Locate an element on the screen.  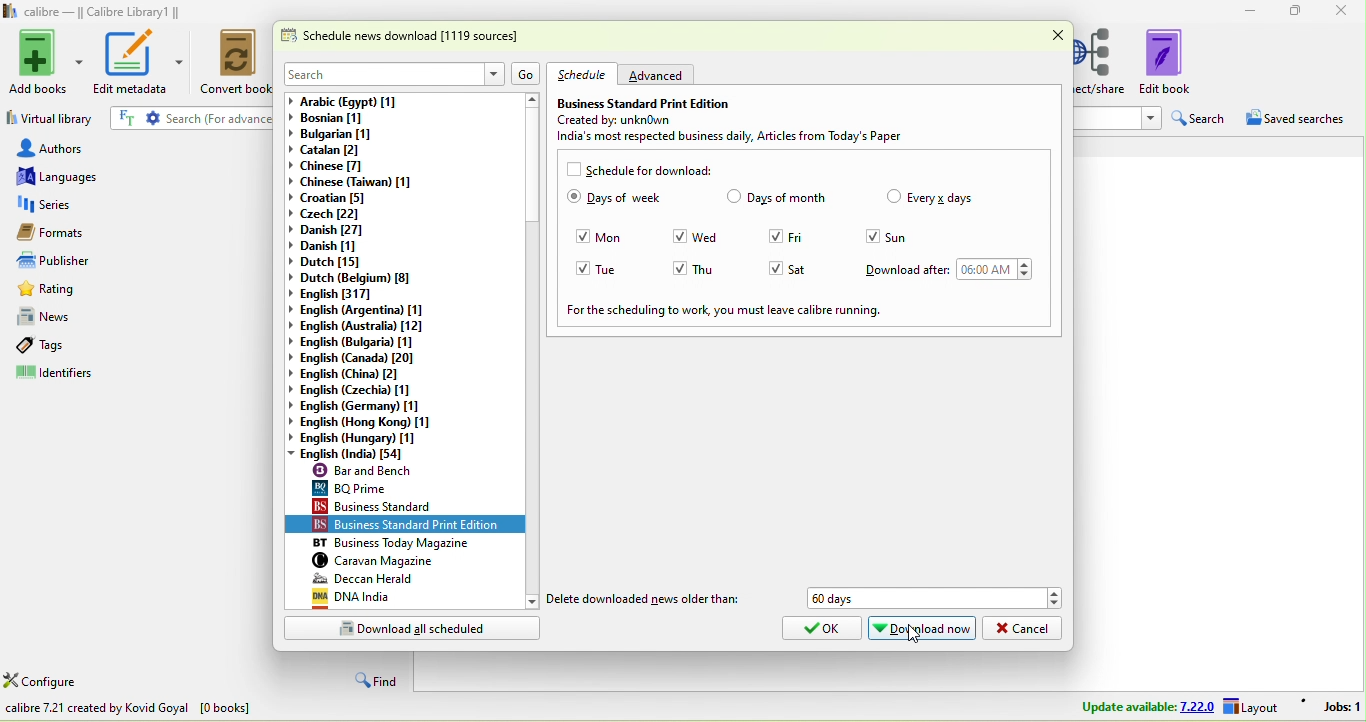
Checkbox is located at coordinates (582, 237).